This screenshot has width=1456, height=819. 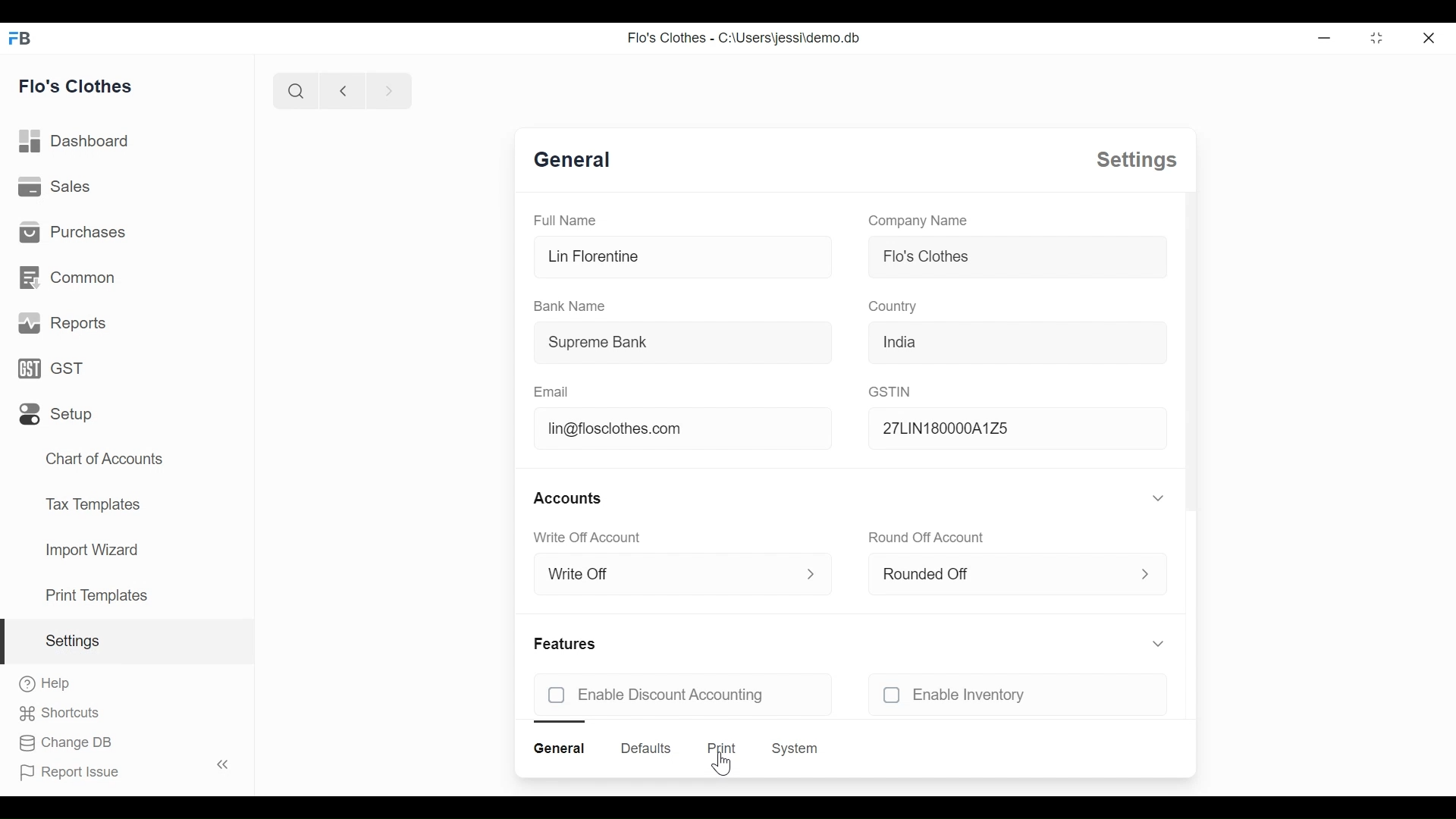 I want to click on round off account, so click(x=928, y=538).